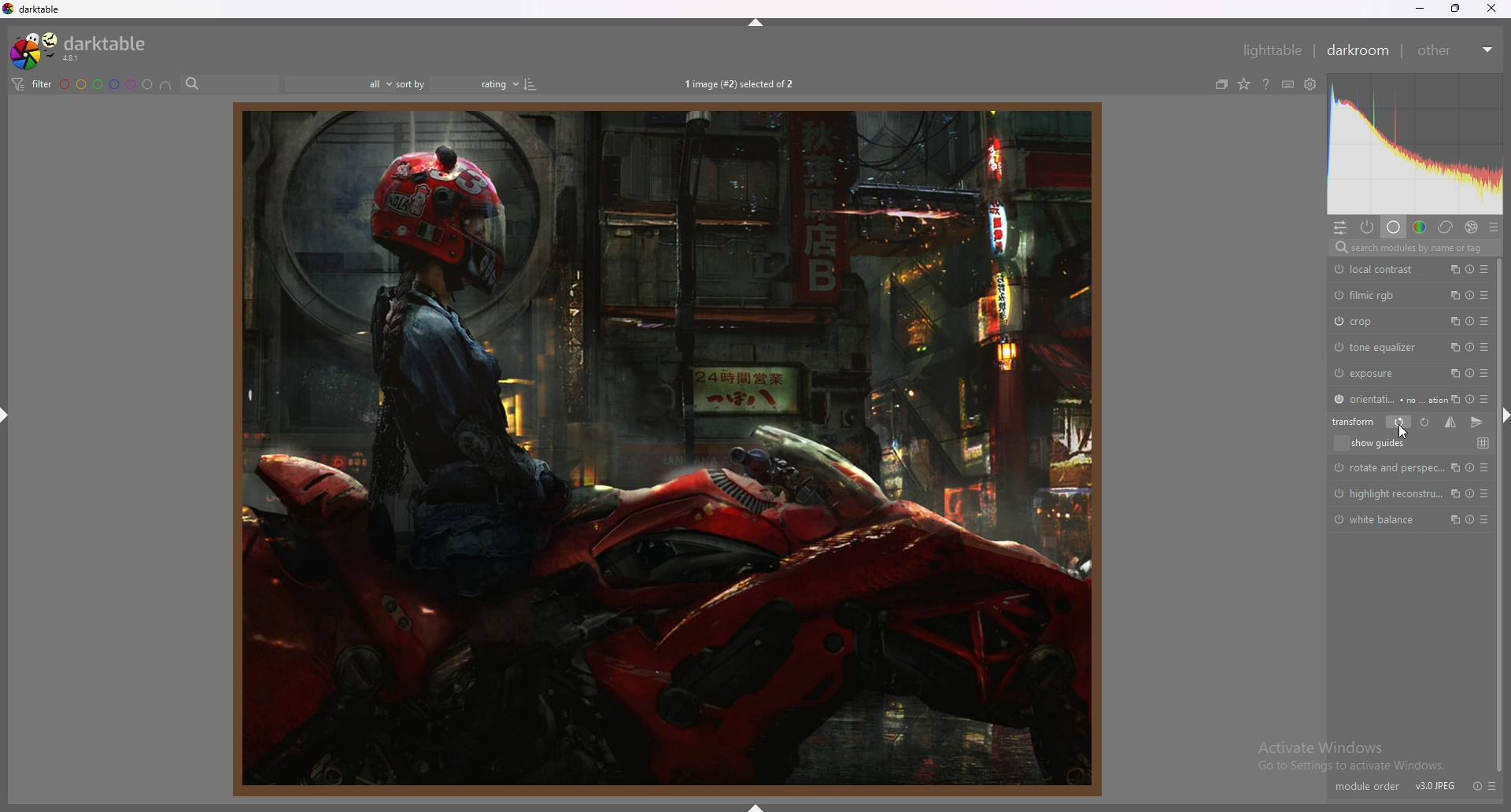 Image resolution: width=1511 pixels, height=812 pixels. What do you see at coordinates (1470, 347) in the screenshot?
I see `reset` at bounding box center [1470, 347].